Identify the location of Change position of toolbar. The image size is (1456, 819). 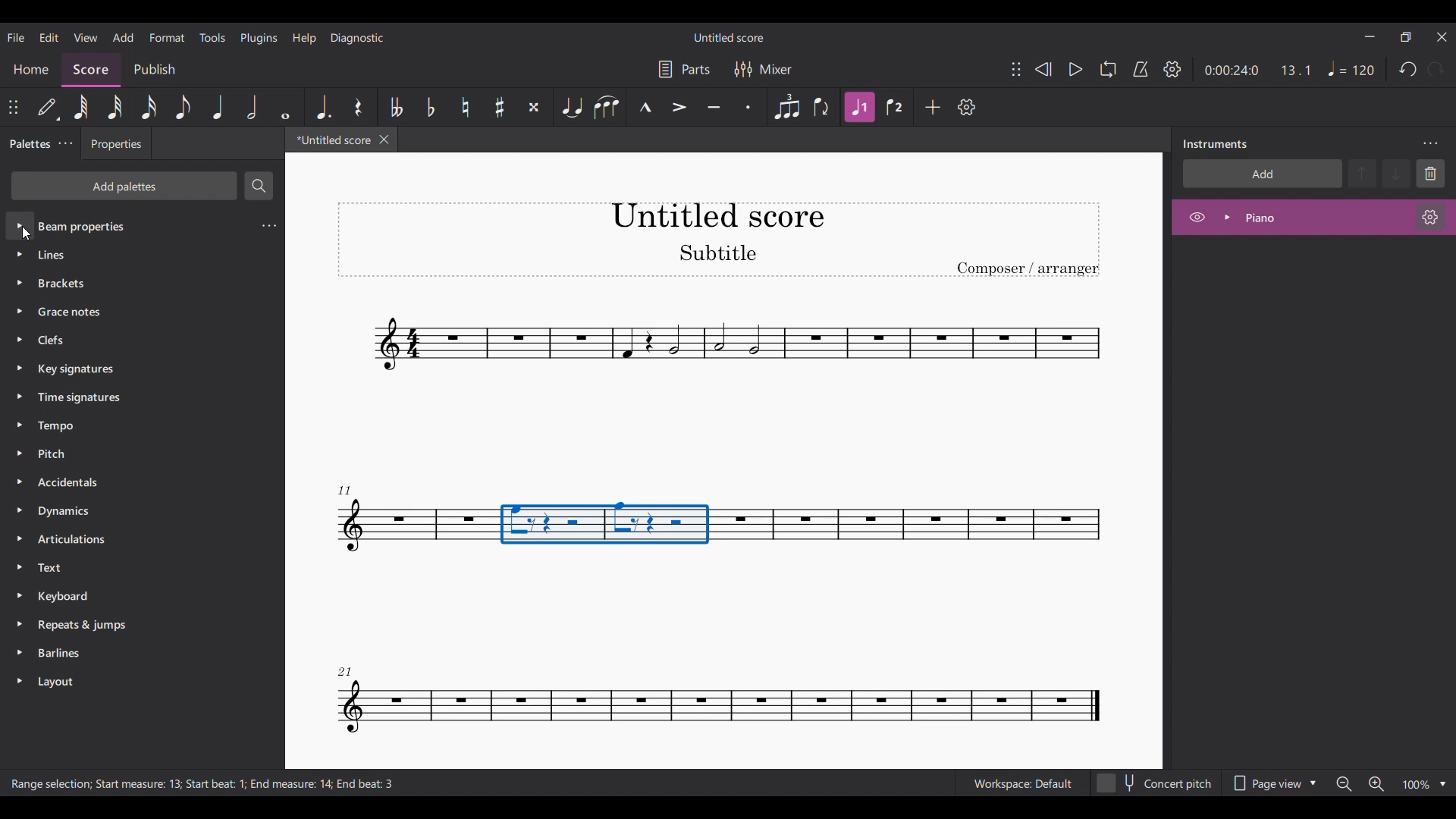
(1016, 69).